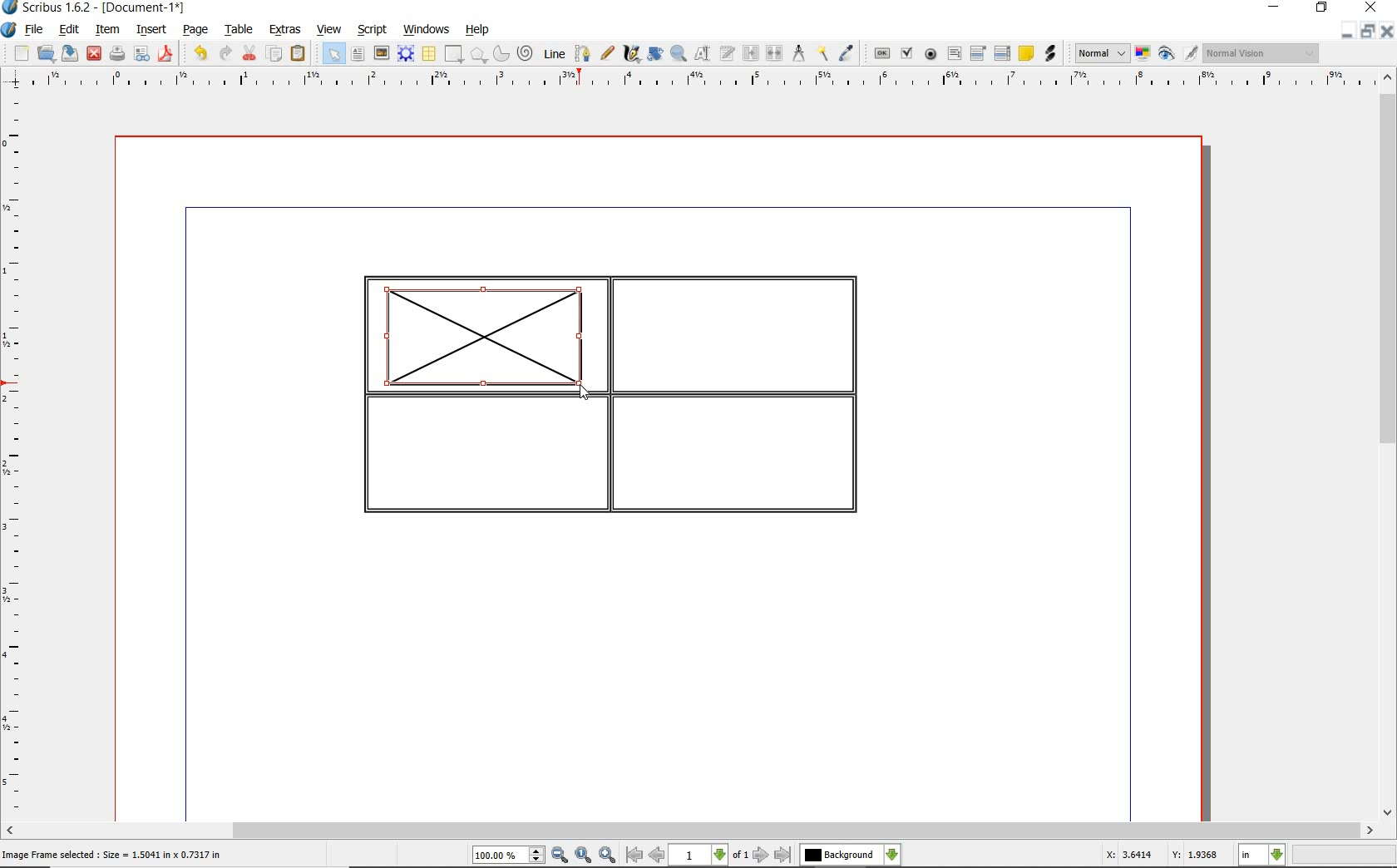  What do you see at coordinates (67, 30) in the screenshot?
I see `edit` at bounding box center [67, 30].